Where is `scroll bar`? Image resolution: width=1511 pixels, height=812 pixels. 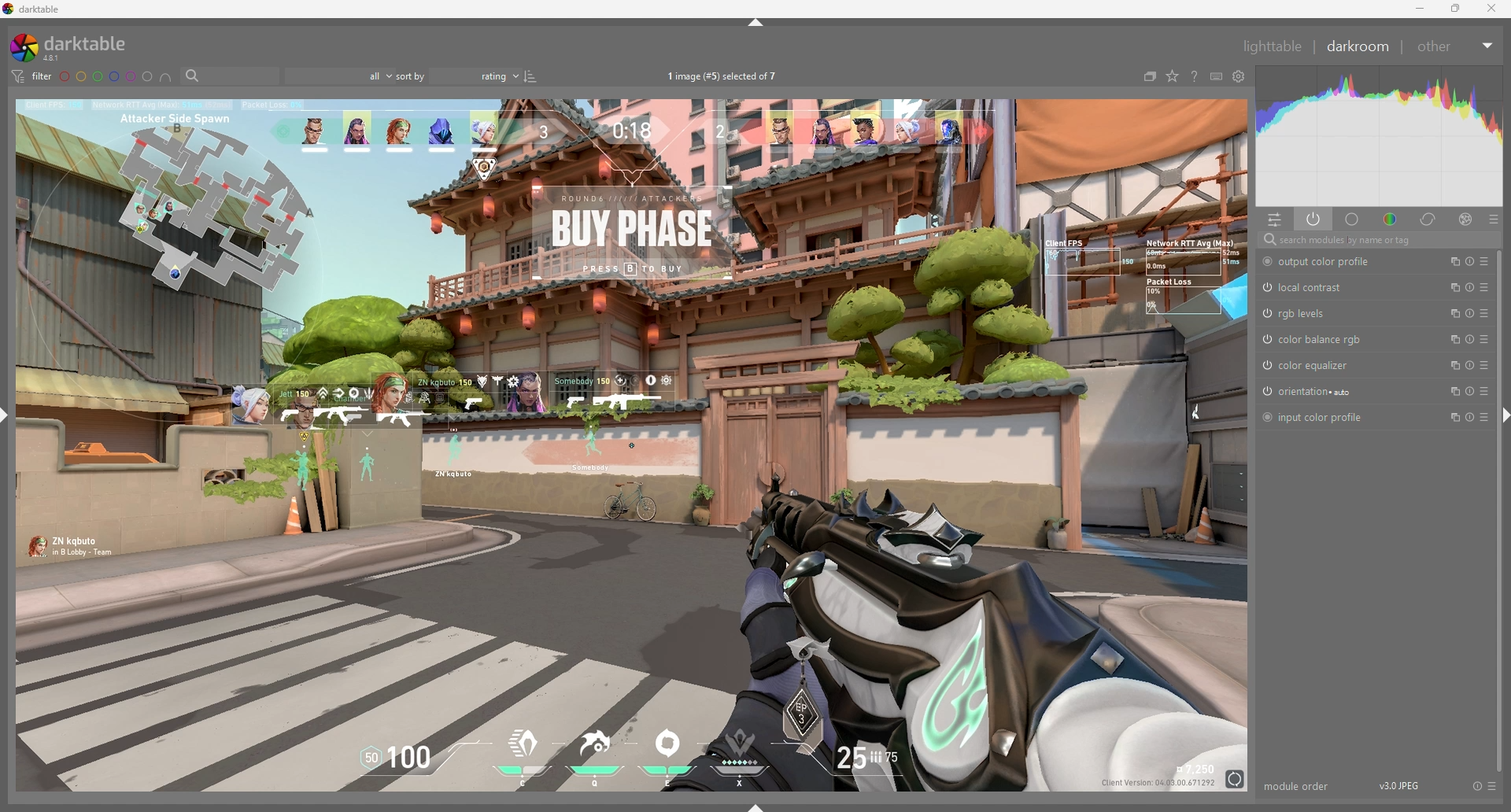 scroll bar is located at coordinates (1498, 510).